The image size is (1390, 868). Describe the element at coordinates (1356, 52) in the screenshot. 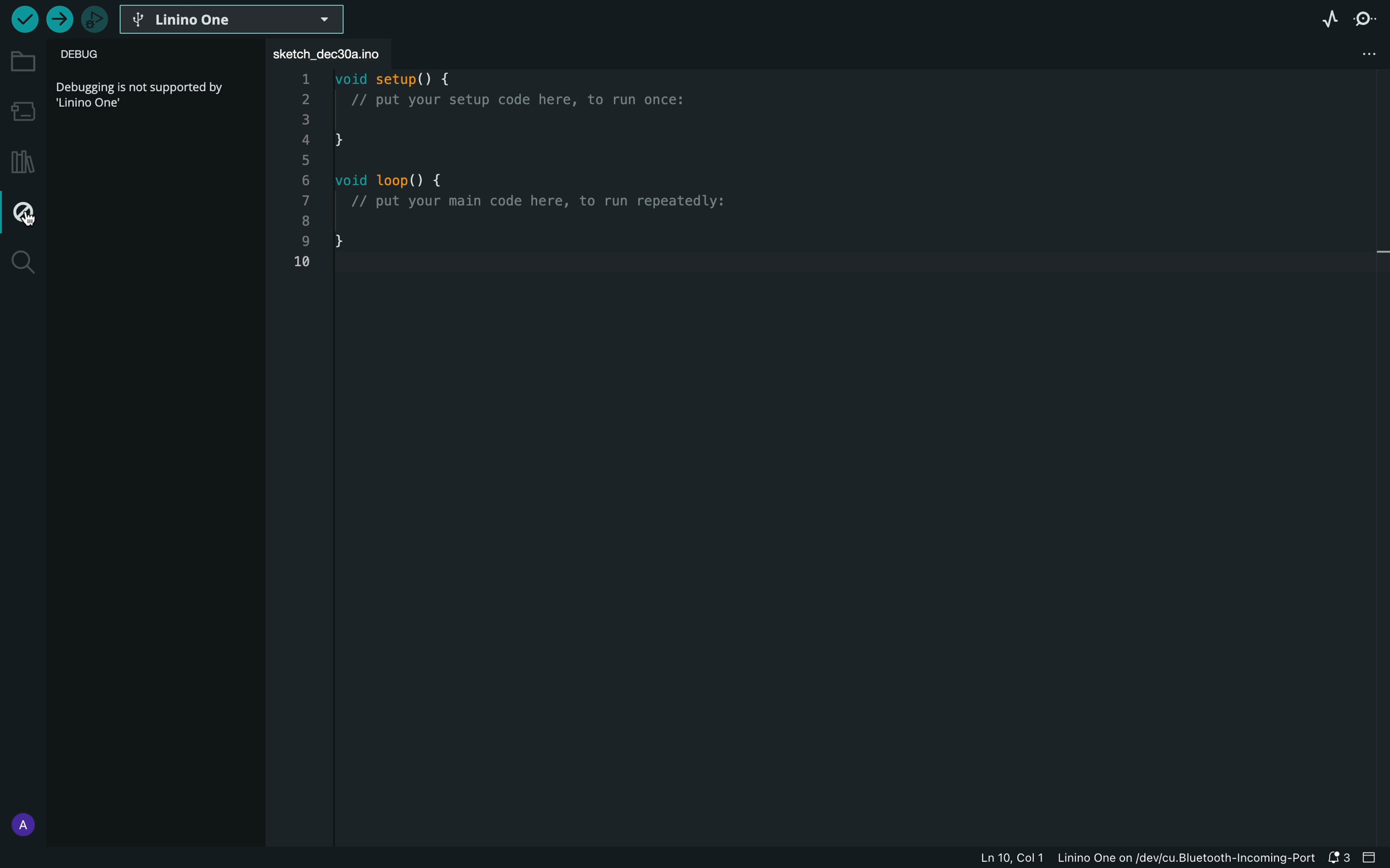

I see `file setting` at that location.